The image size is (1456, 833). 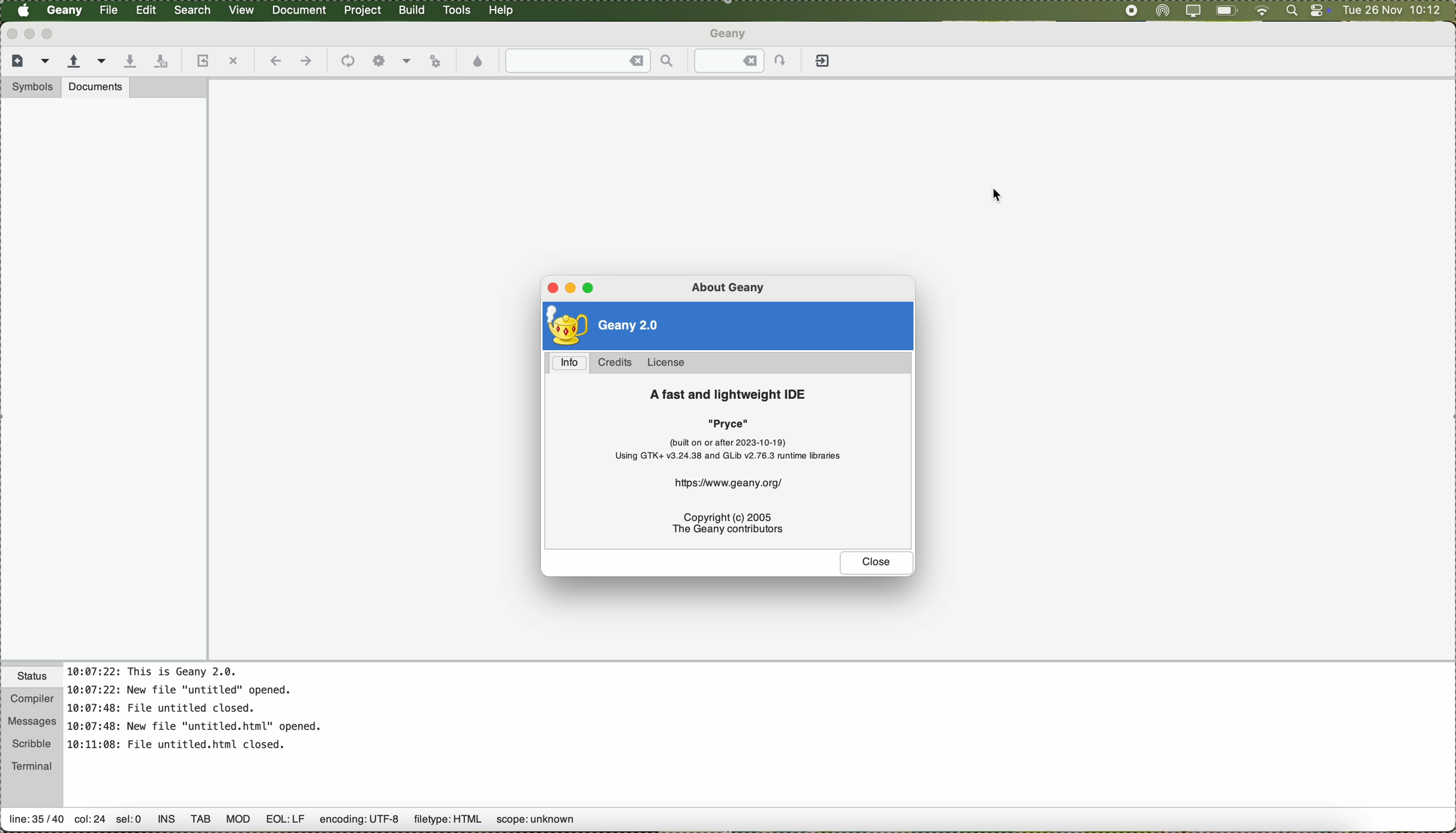 What do you see at coordinates (378, 61) in the screenshot?
I see `settings` at bounding box center [378, 61].